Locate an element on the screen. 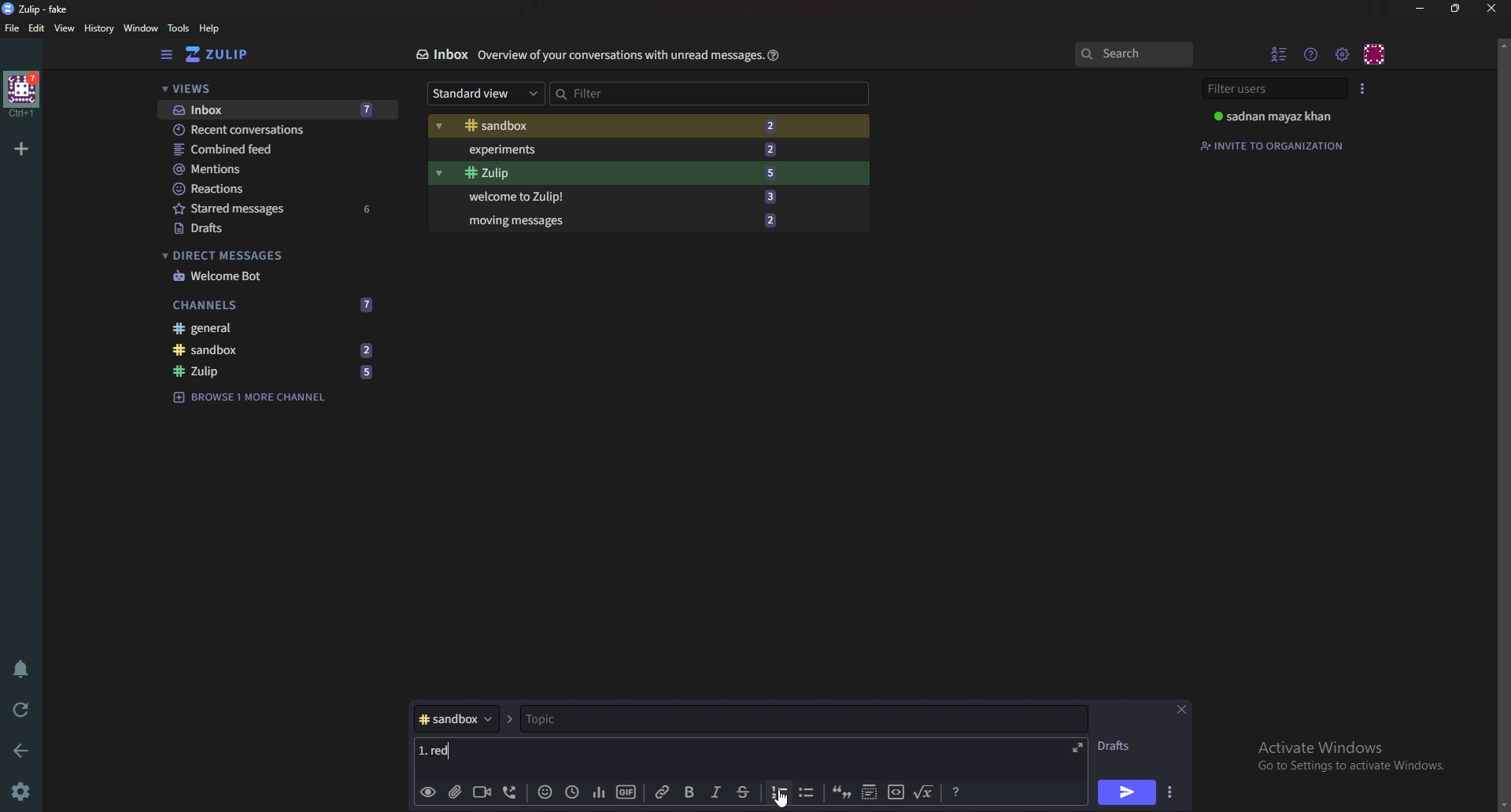 The image size is (1511, 812). Spoiler is located at coordinates (867, 794).